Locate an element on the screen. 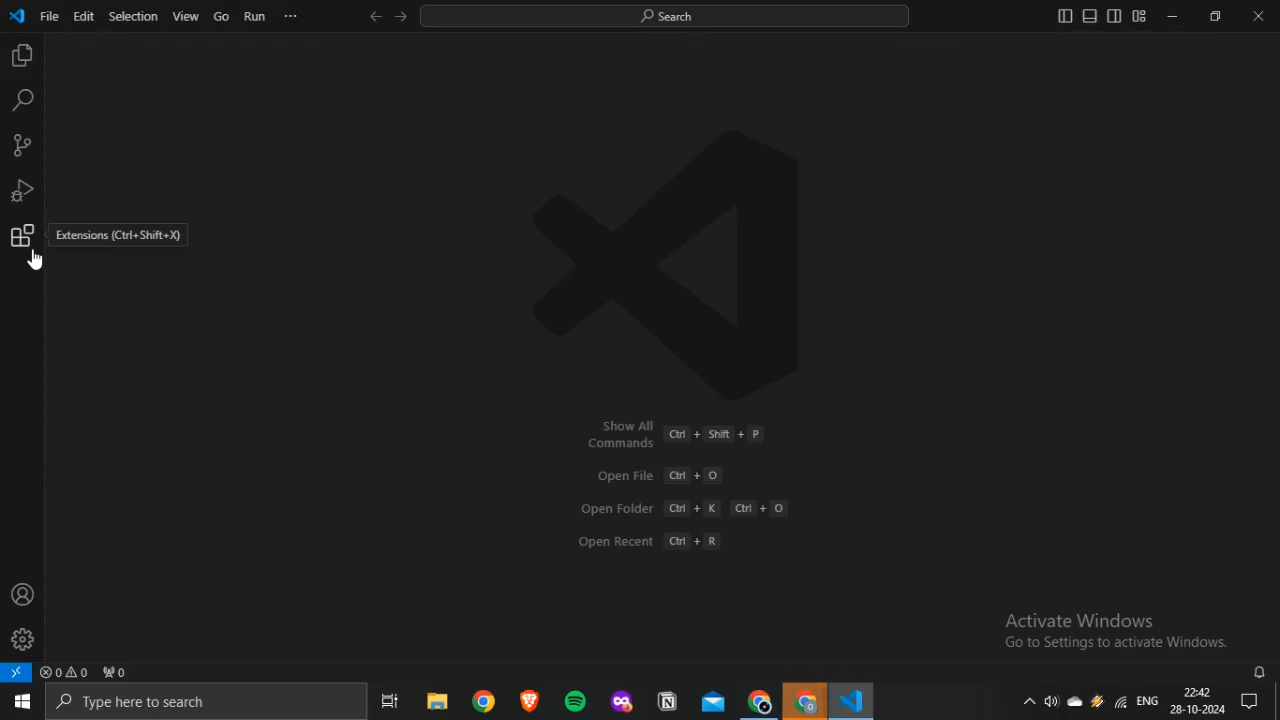  forward is located at coordinates (400, 16).